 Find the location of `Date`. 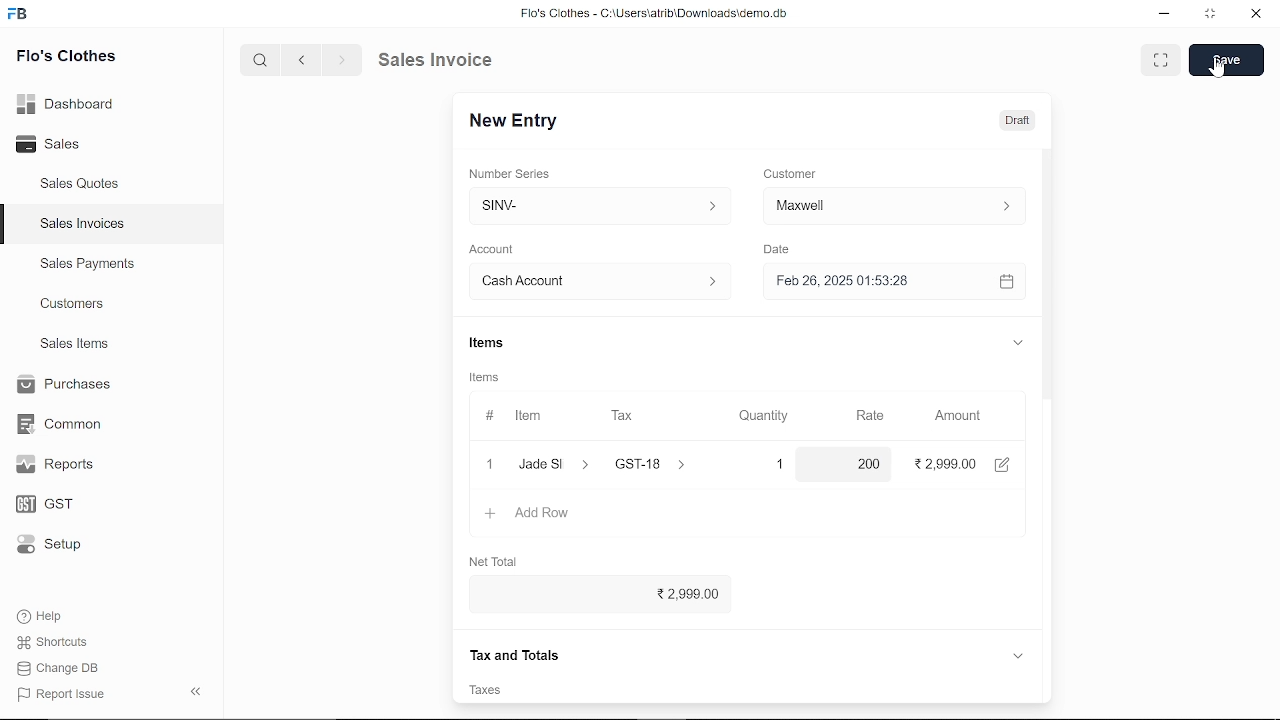

Date is located at coordinates (776, 250).